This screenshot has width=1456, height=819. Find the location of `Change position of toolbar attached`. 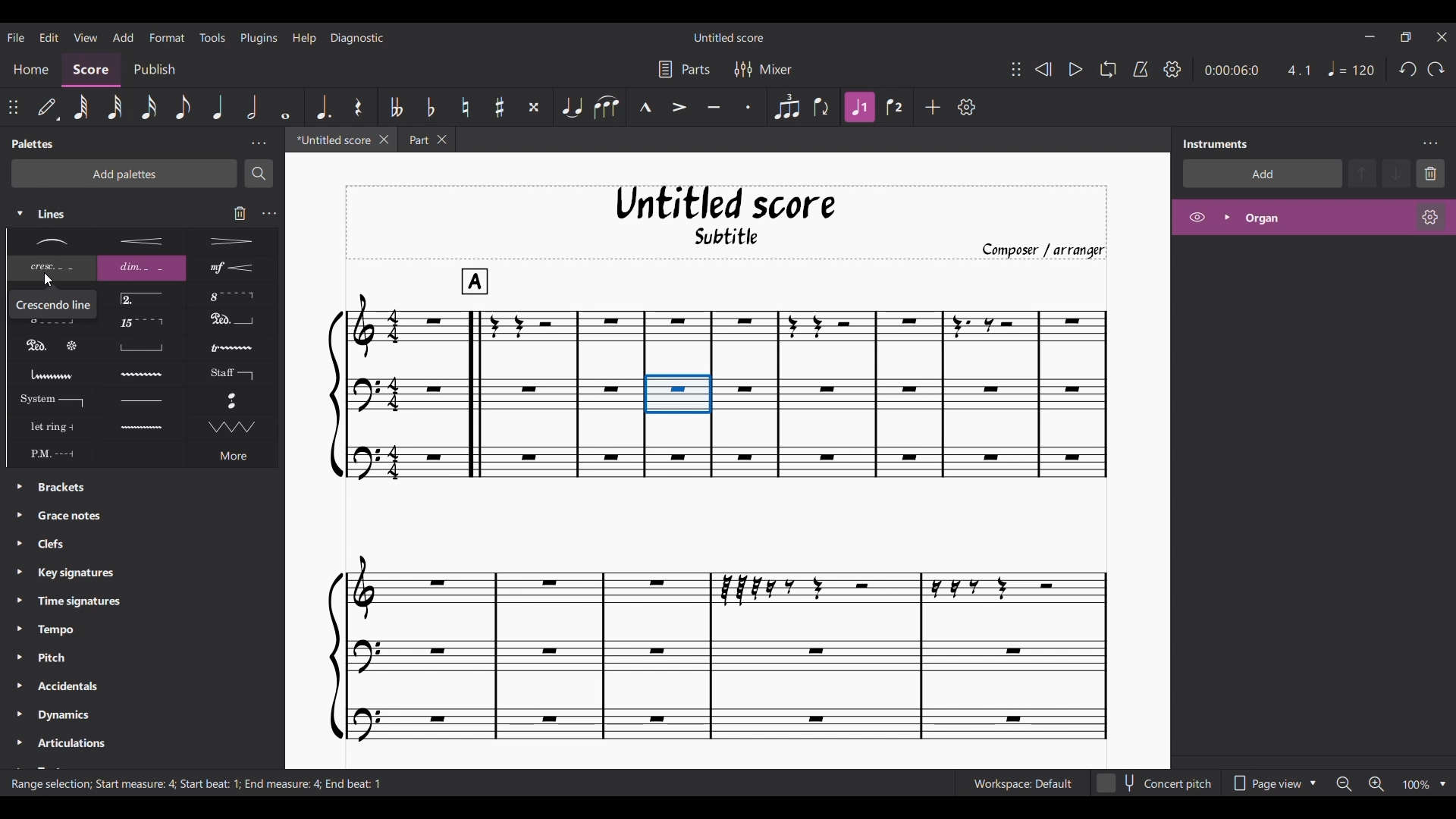

Change position of toolbar attached is located at coordinates (1016, 69).